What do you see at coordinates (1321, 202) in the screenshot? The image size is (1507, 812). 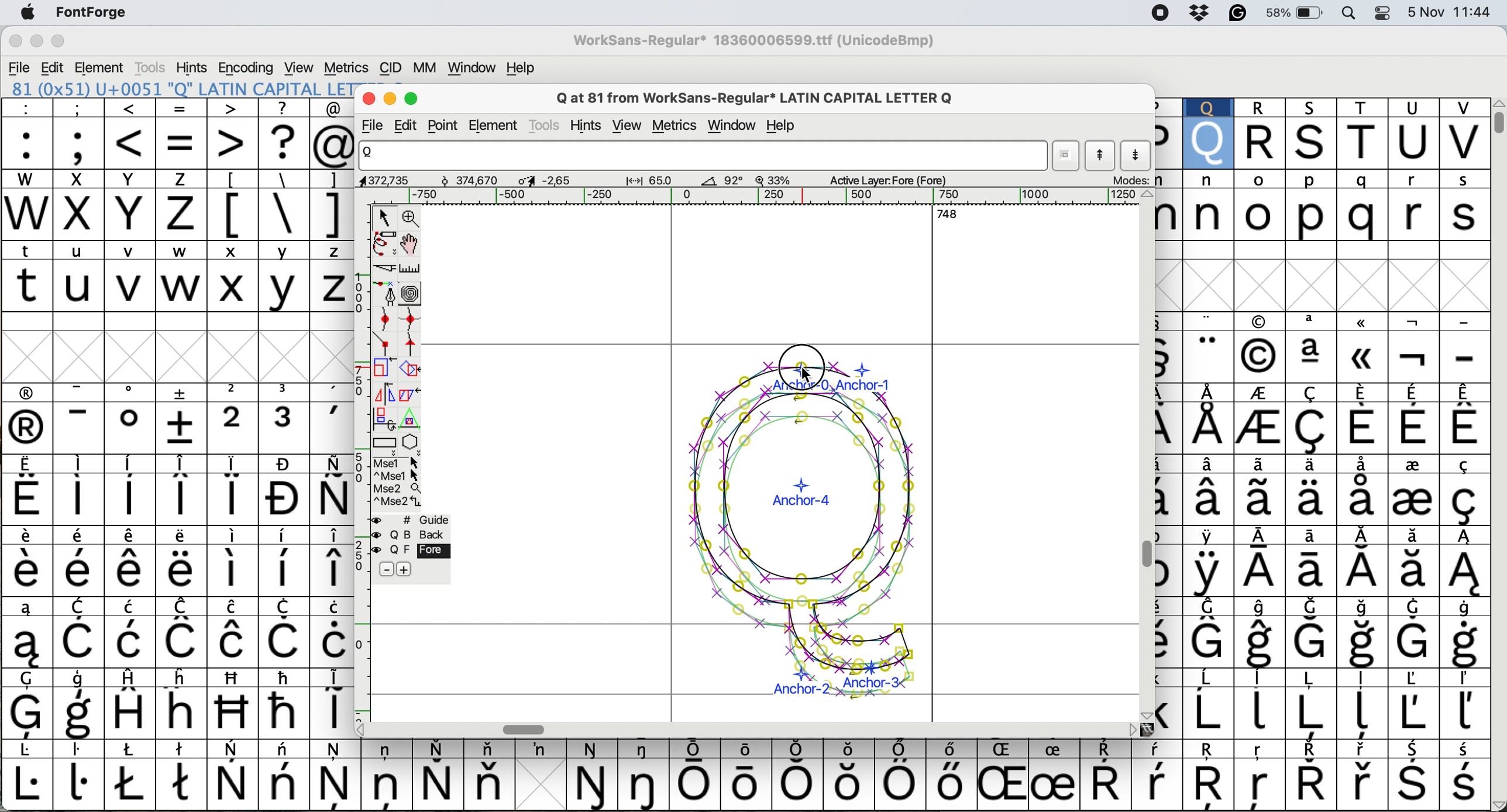 I see `lowercase letters` at bounding box center [1321, 202].